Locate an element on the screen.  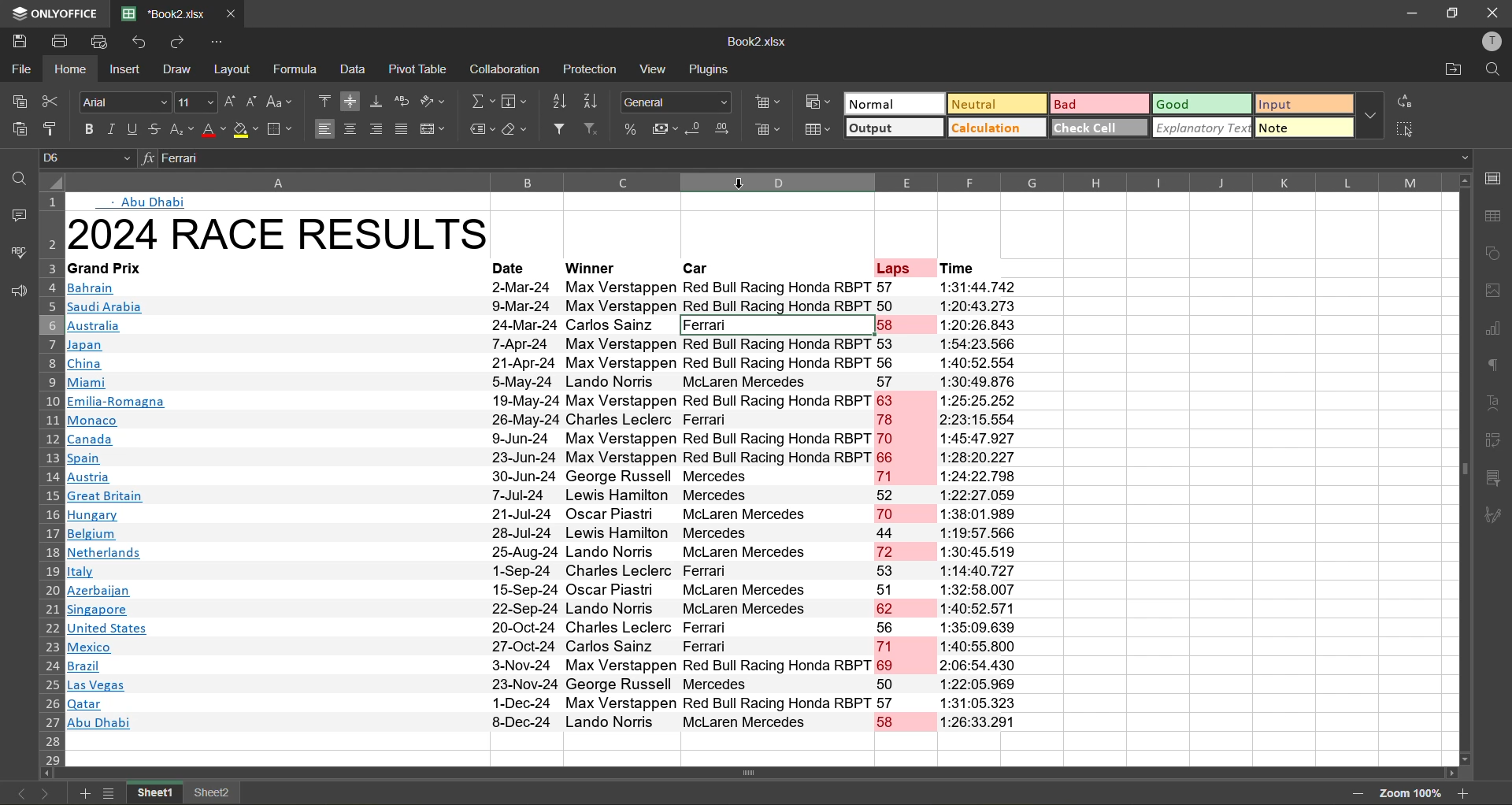
sort descending is located at coordinates (591, 102).